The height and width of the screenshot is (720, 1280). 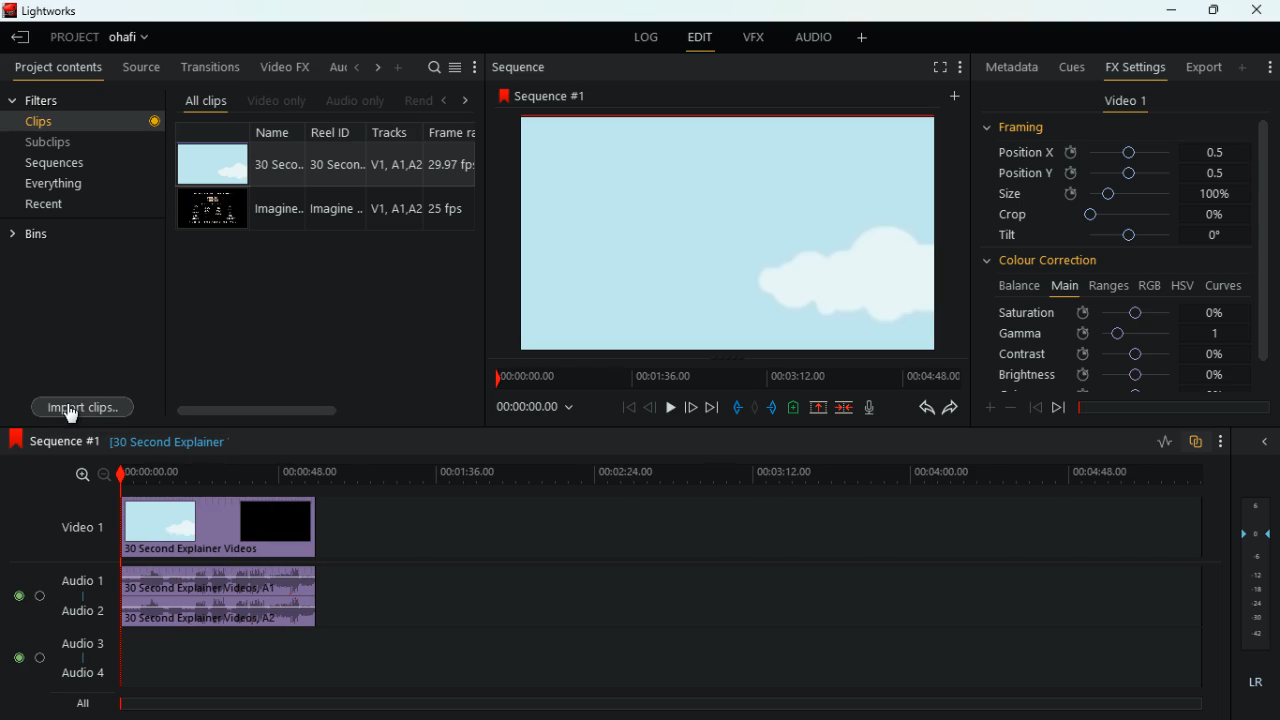 What do you see at coordinates (1269, 66) in the screenshot?
I see `add` at bounding box center [1269, 66].